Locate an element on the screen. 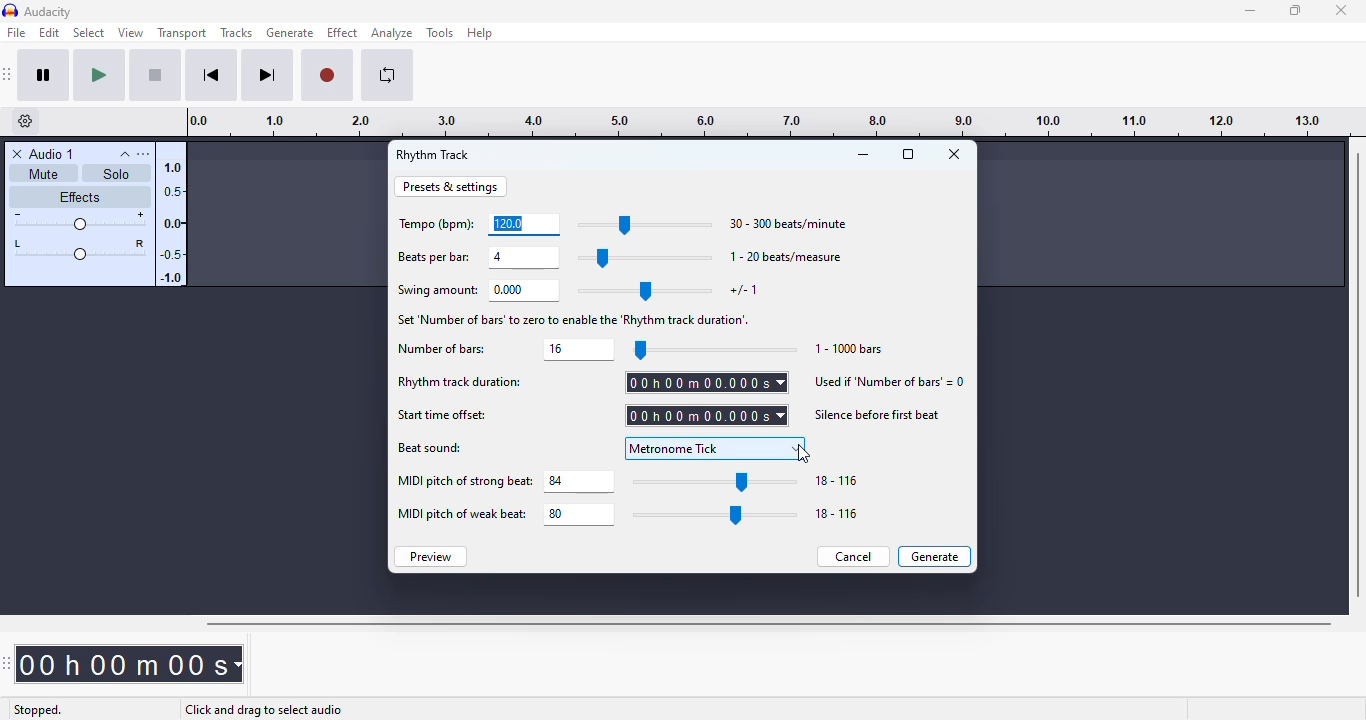 This screenshot has width=1366, height=720. time is located at coordinates (130, 664).